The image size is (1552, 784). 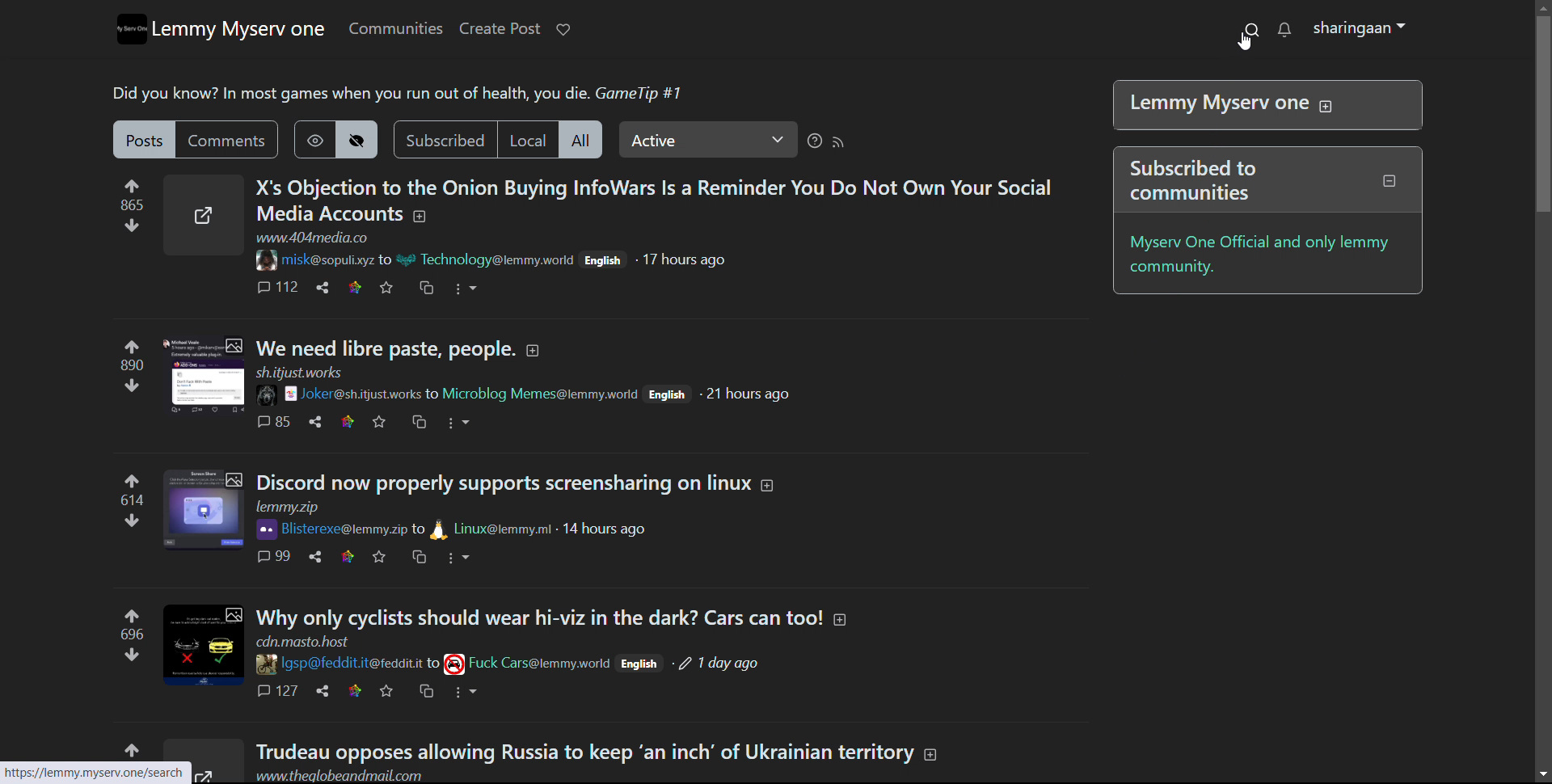 I want to click on cross post, so click(x=419, y=558).